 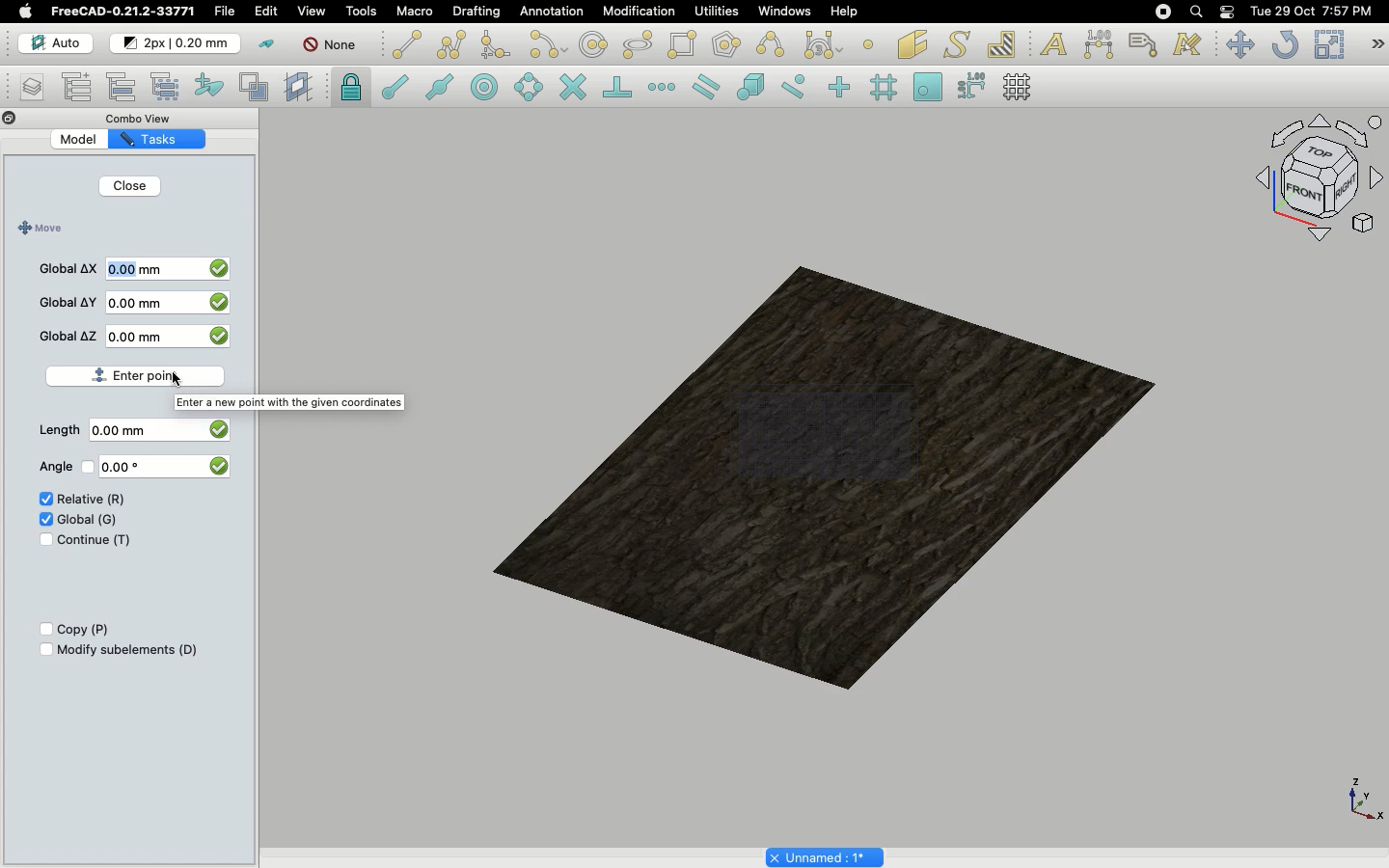 What do you see at coordinates (41, 630) in the screenshot?
I see `Checkbox` at bounding box center [41, 630].